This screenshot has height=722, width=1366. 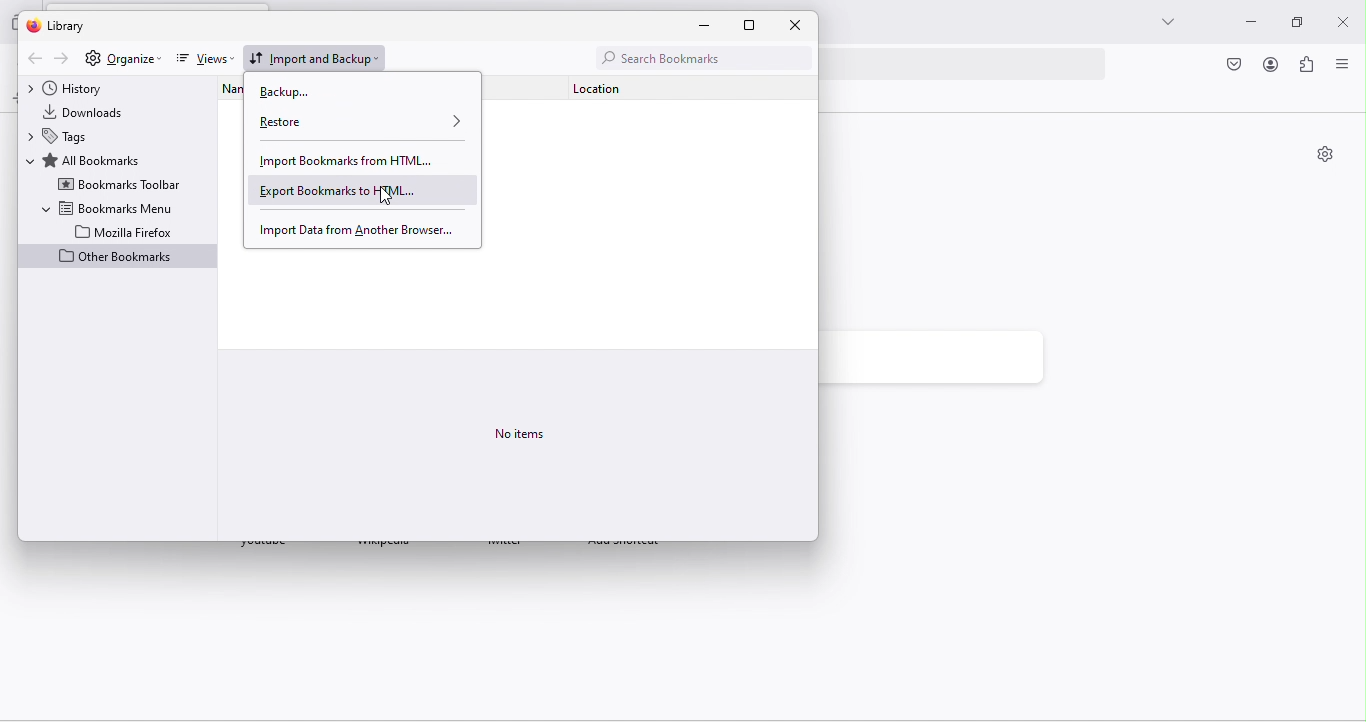 What do you see at coordinates (1325, 156) in the screenshot?
I see `settings` at bounding box center [1325, 156].